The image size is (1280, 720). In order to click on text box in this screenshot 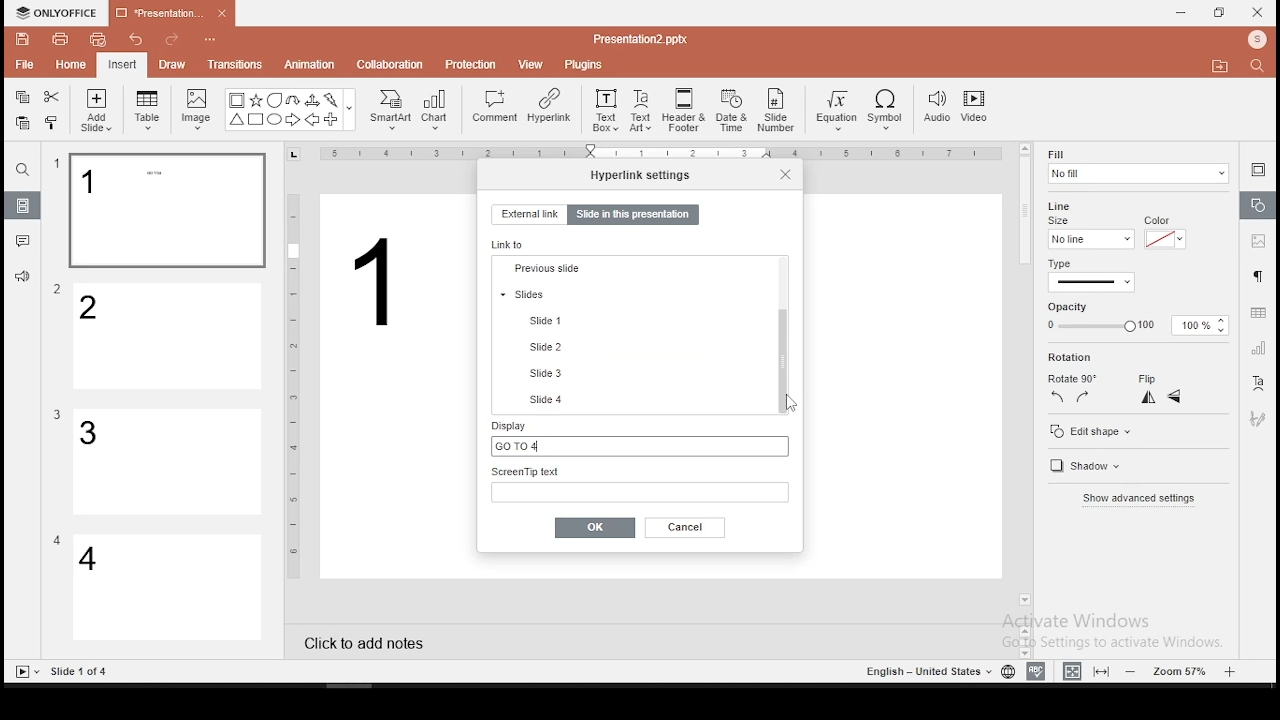, I will do `click(604, 108)`.